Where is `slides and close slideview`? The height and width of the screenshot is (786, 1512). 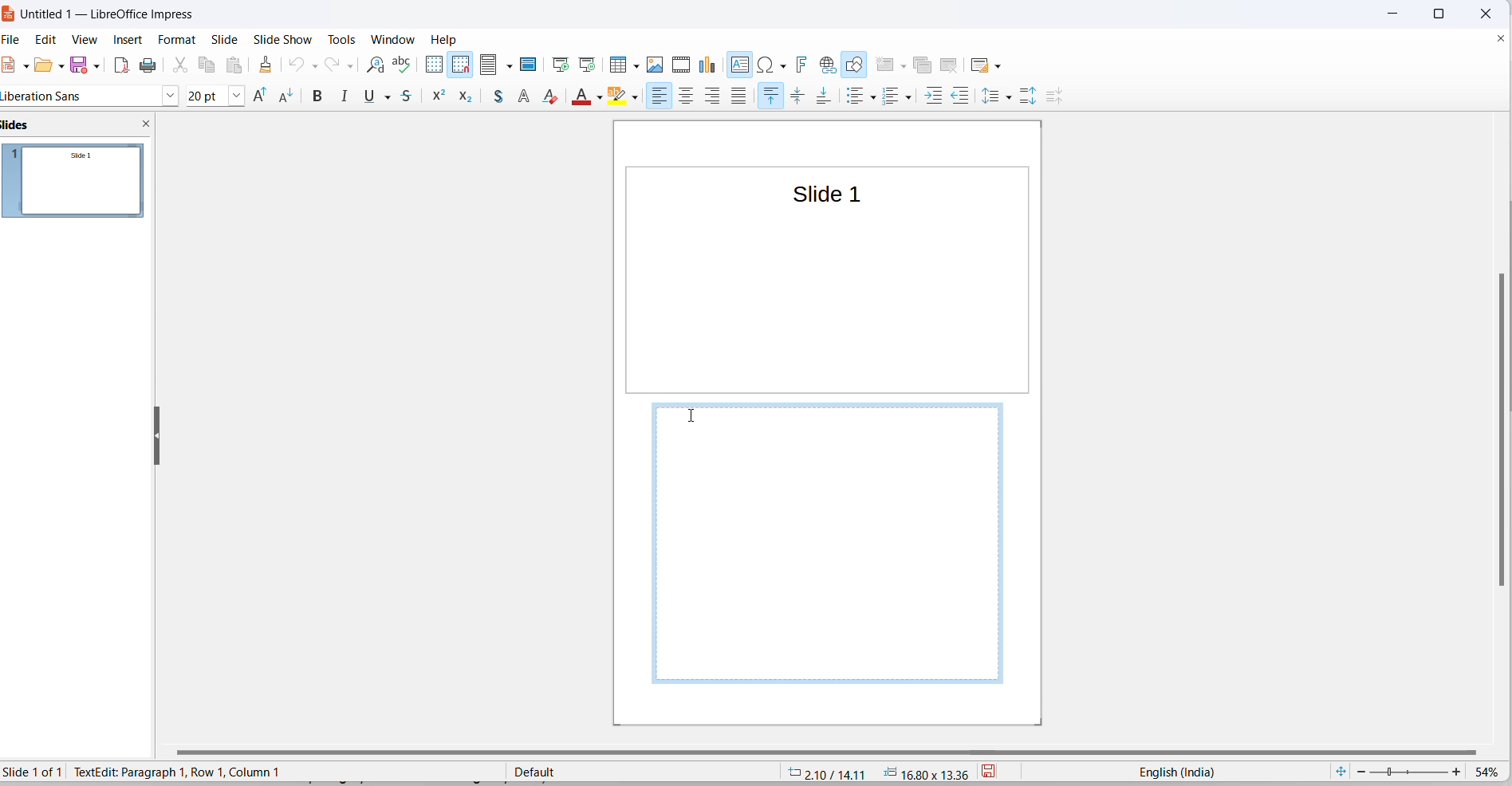
slides and close slideview is located at coordinates (77, 125).